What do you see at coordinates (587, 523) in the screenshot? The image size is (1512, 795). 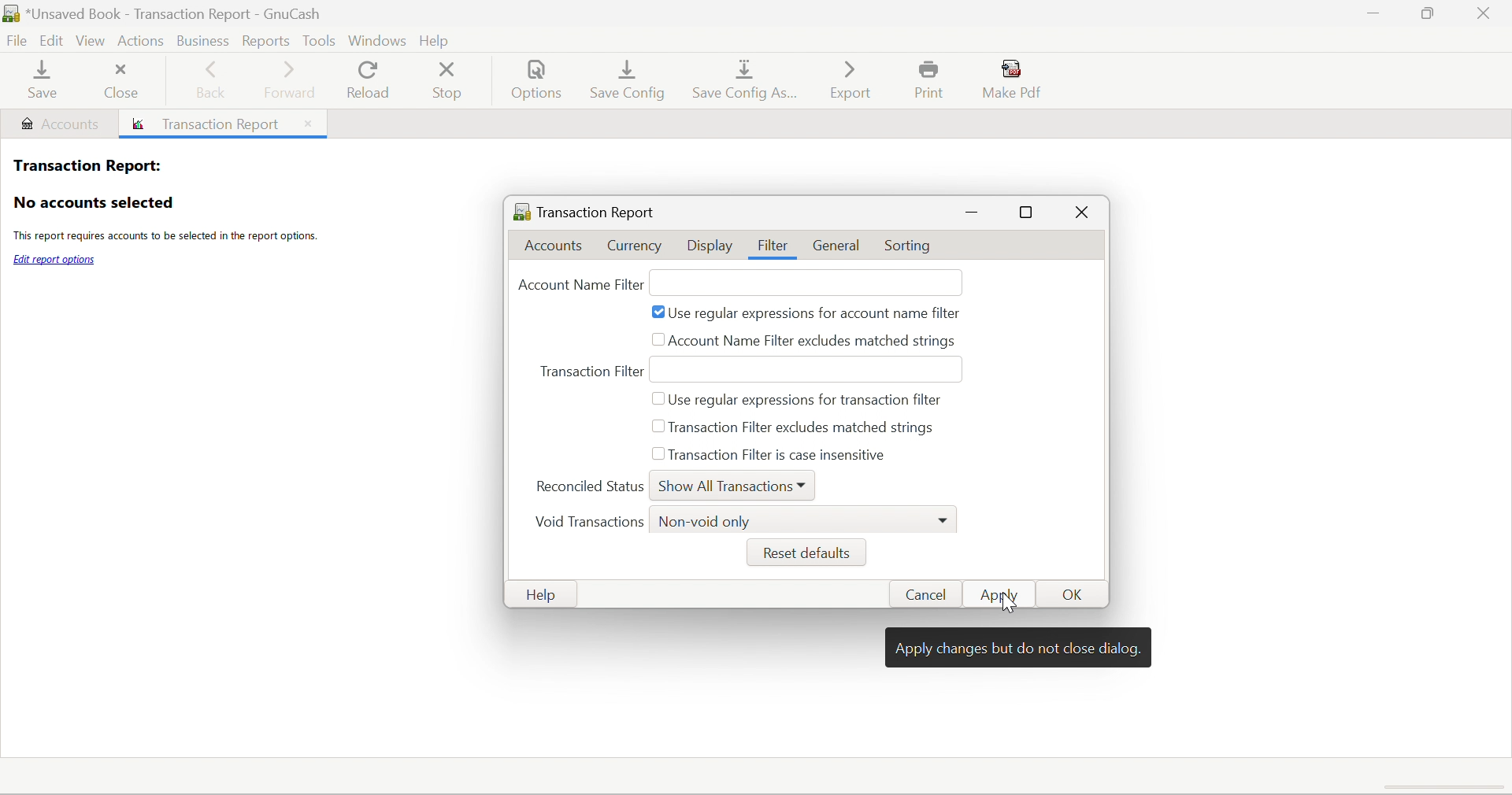 I see `Void Transactions` at bounding box center [587, 523].